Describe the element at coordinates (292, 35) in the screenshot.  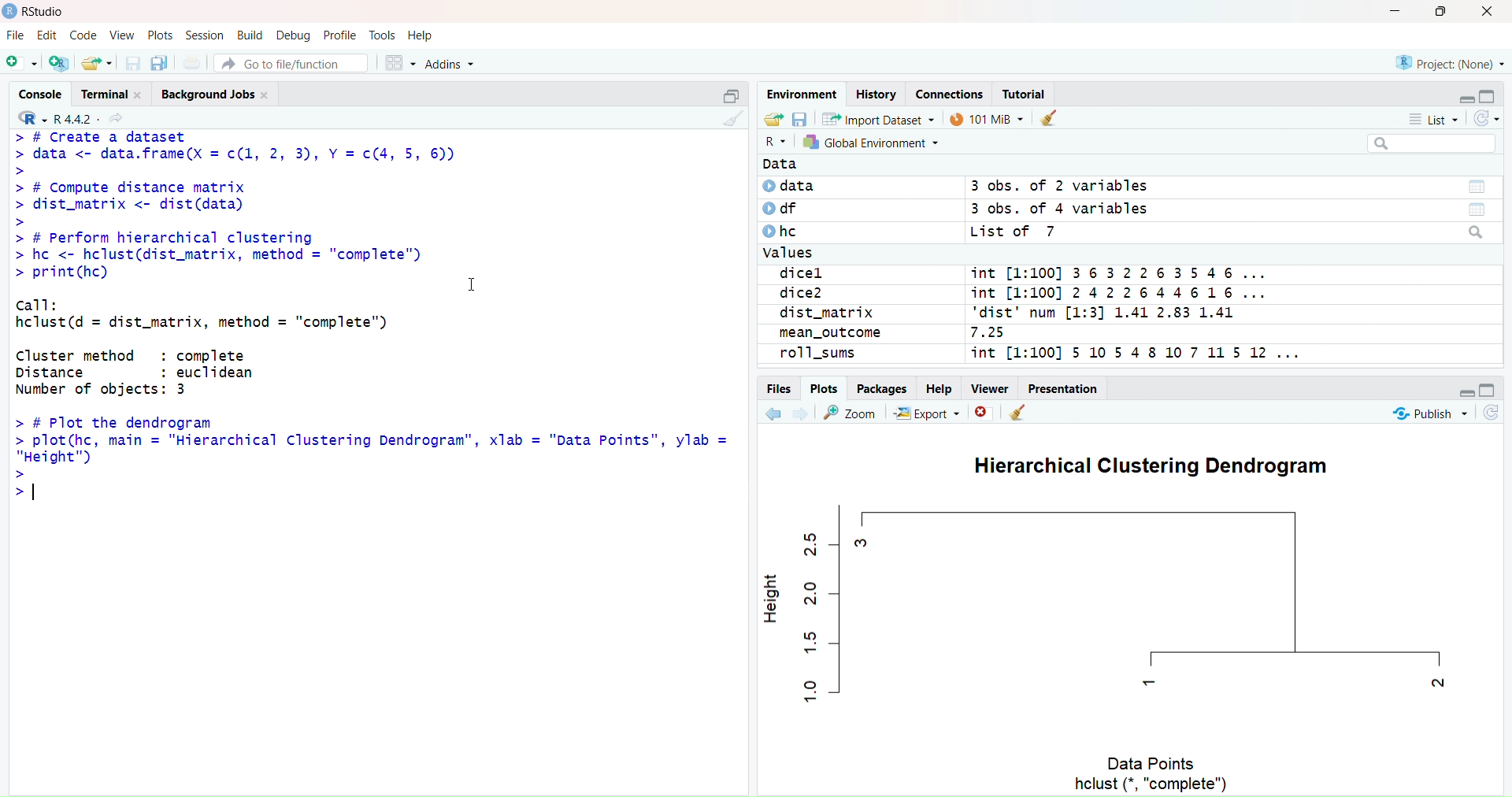
I see `Debug` at that location.